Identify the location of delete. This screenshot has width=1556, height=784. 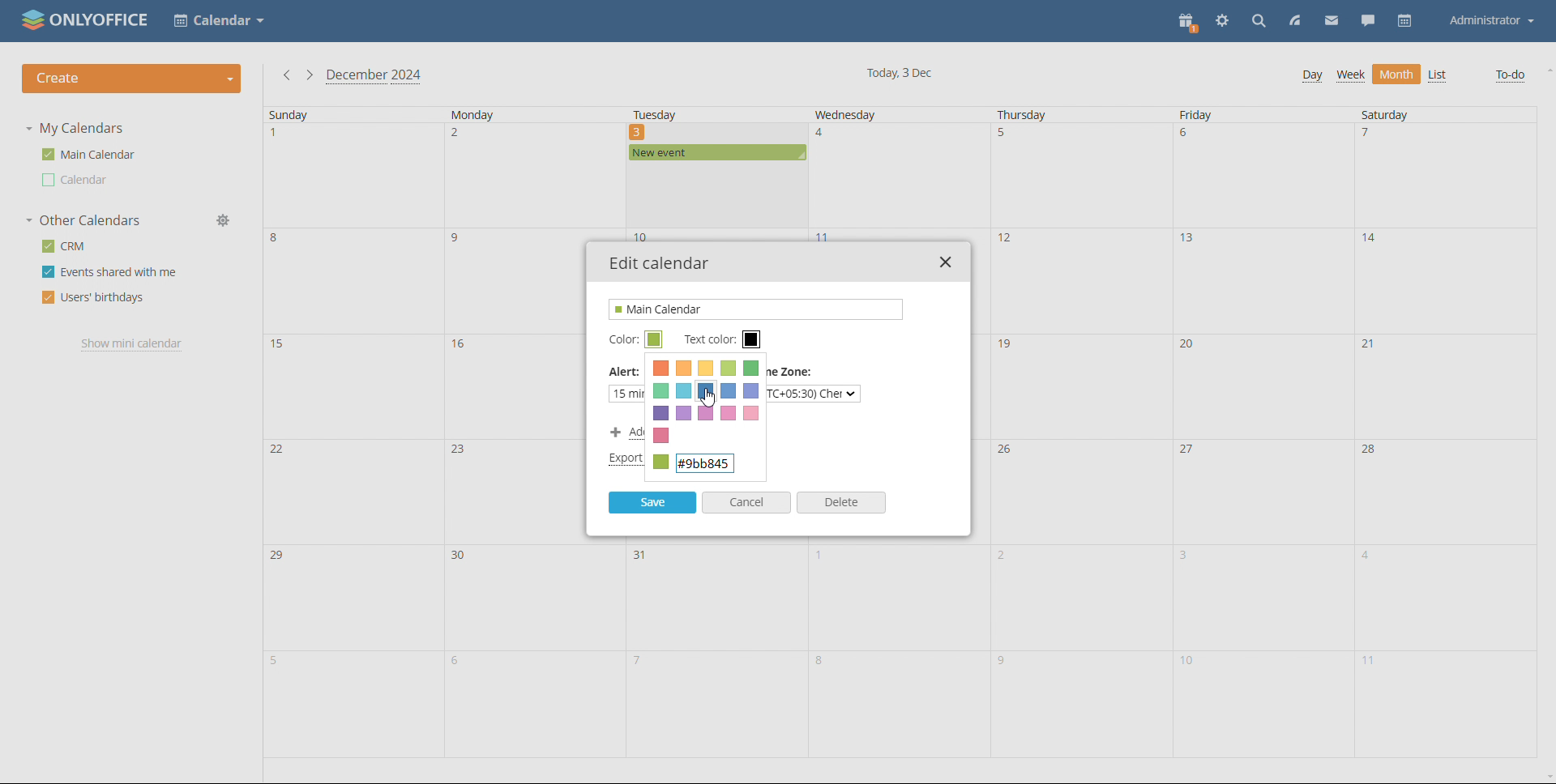
(841, 502).